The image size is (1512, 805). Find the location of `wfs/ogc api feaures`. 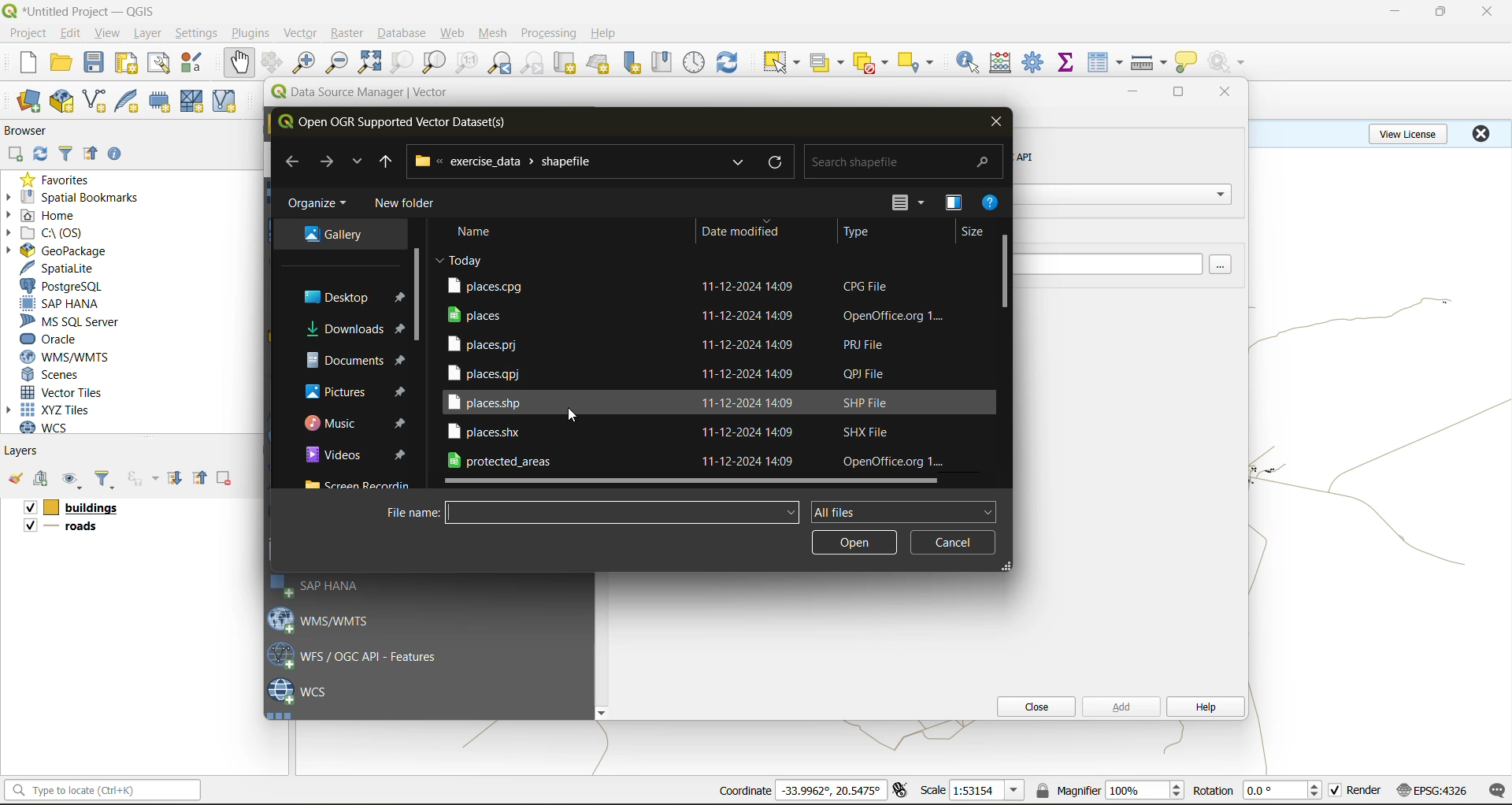

wfs/ogc api feaures is located at coordinates (361, 655).